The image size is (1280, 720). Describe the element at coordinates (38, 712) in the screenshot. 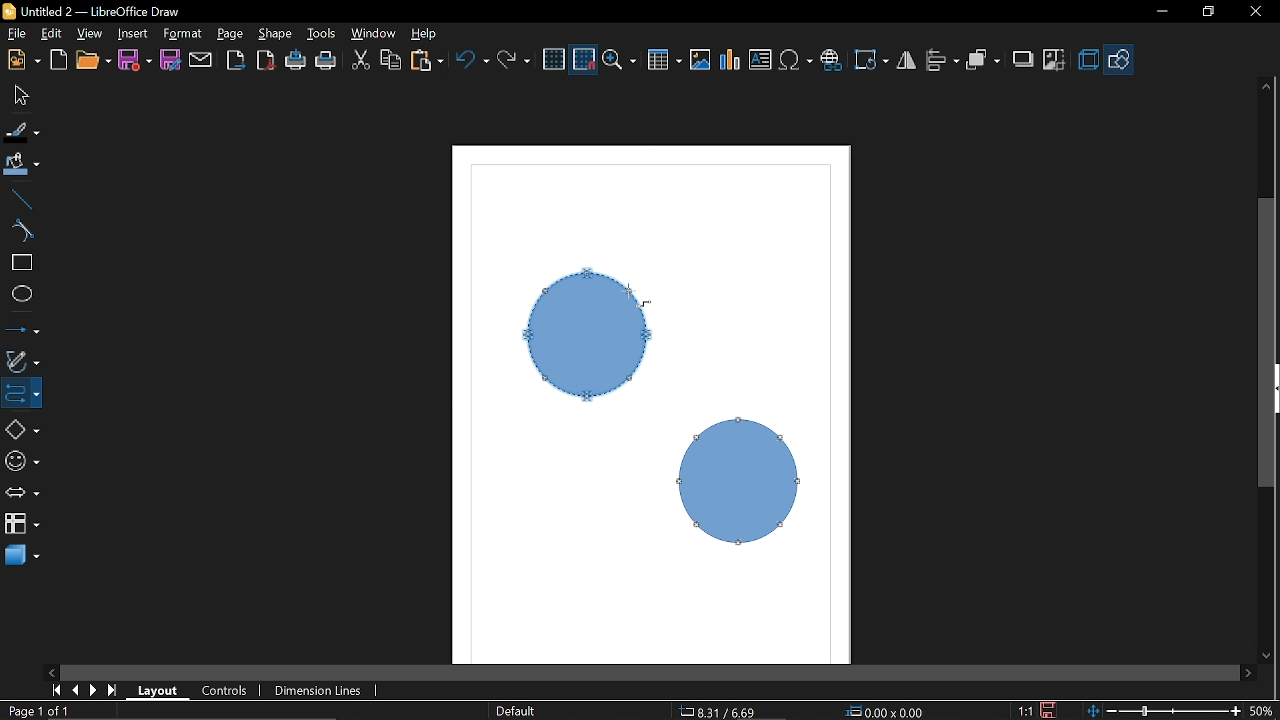

I see `Current page` at that location.